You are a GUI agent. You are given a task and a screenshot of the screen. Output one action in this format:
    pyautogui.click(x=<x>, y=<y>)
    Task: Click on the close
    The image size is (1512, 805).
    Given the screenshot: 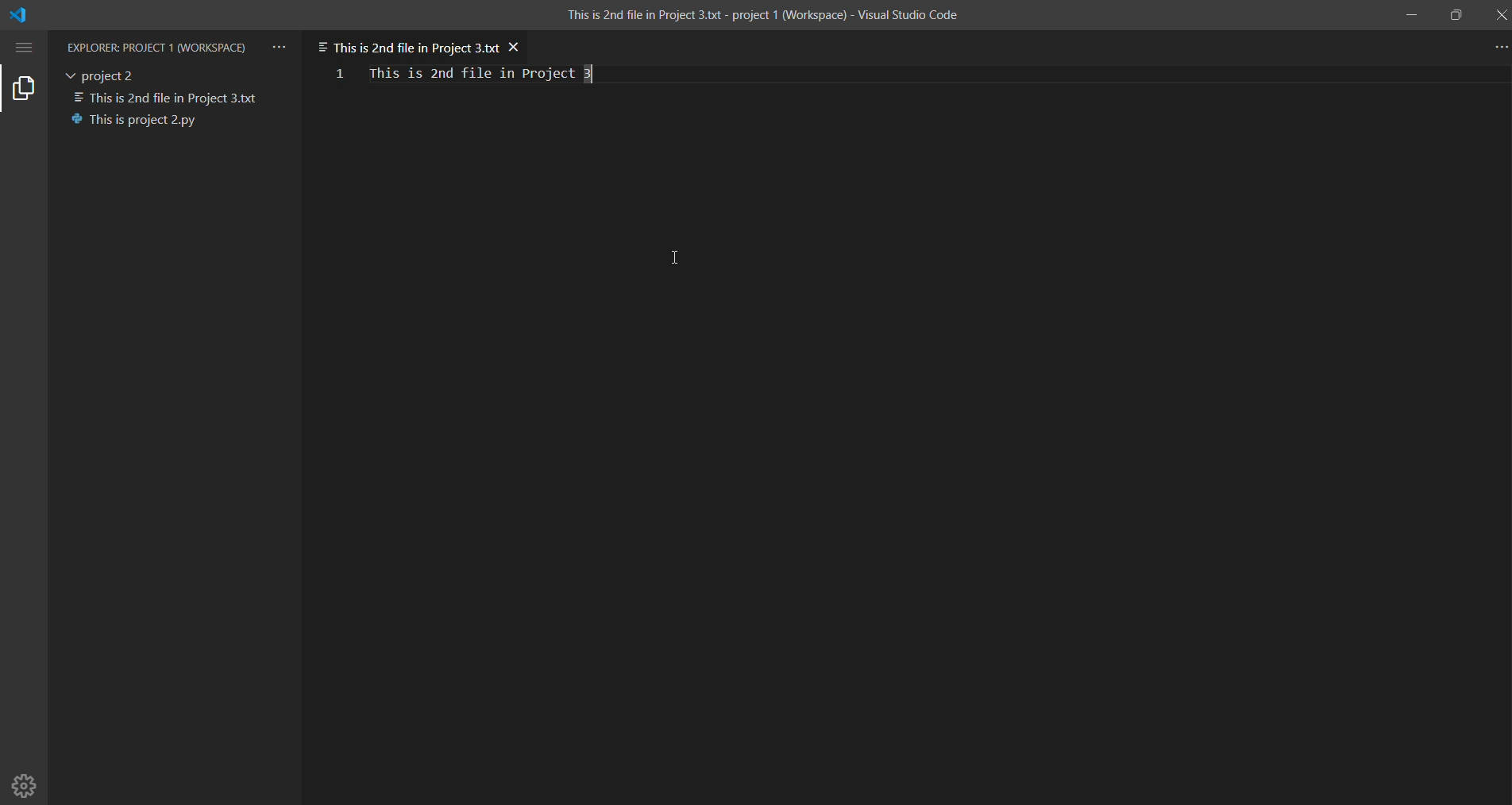 What is the action you would take?
    pyautogui.click(x=1499, y=16)
    